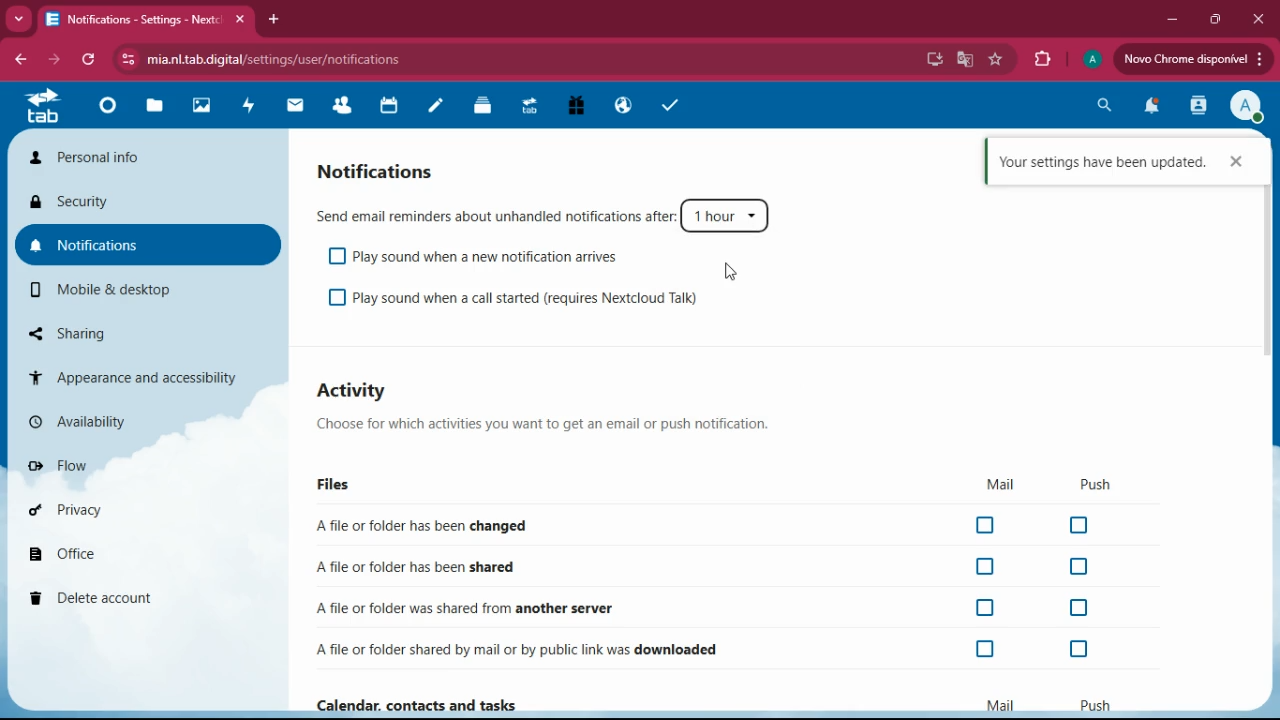 This screenshot has height=720, width=1280. Describe the element at coordinates (352, 390) in the screenshot. I see `activity` at that location.